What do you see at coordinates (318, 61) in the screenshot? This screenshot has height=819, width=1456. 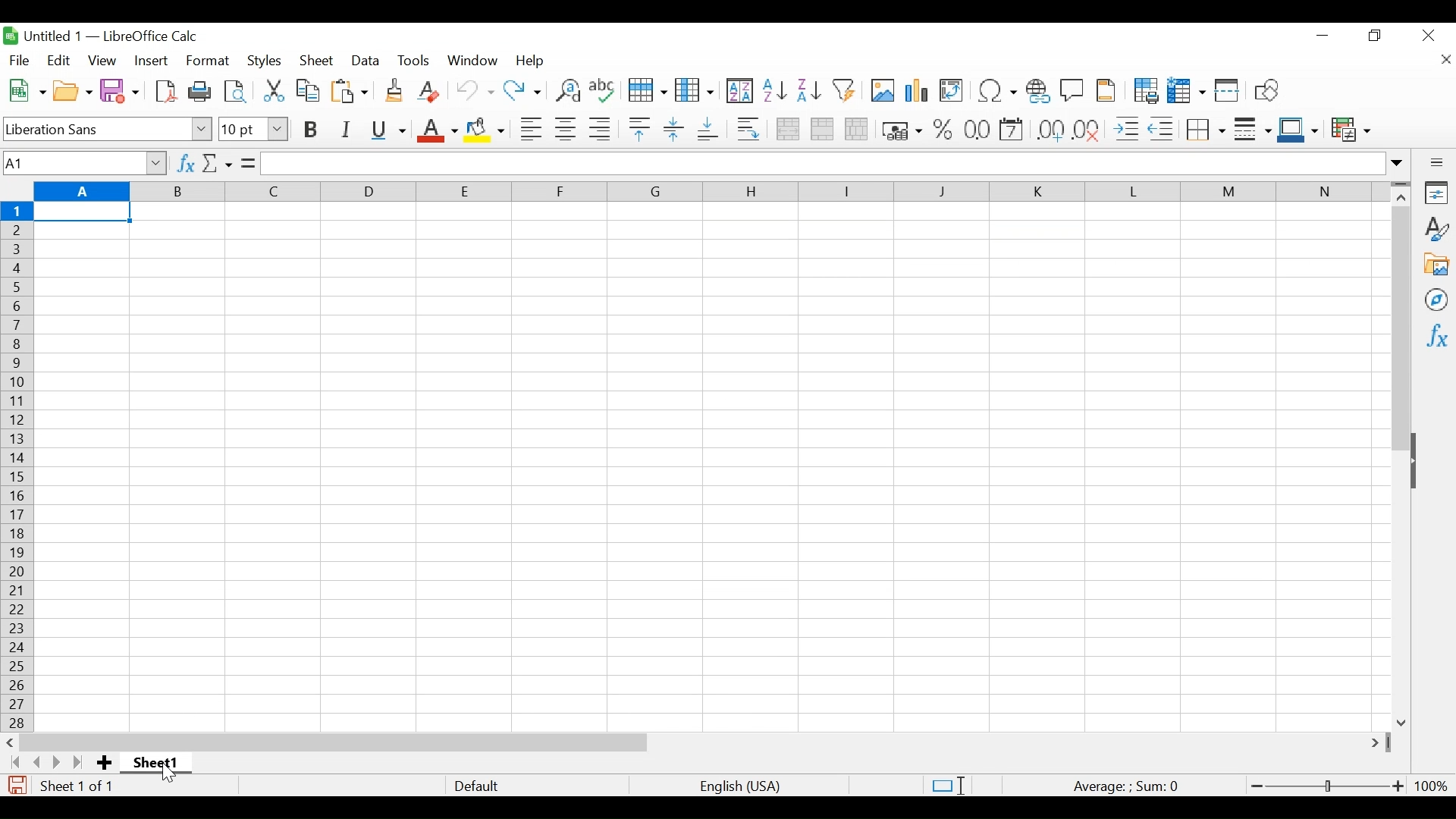 I see `Sheet` at bounding box center [318, 61].